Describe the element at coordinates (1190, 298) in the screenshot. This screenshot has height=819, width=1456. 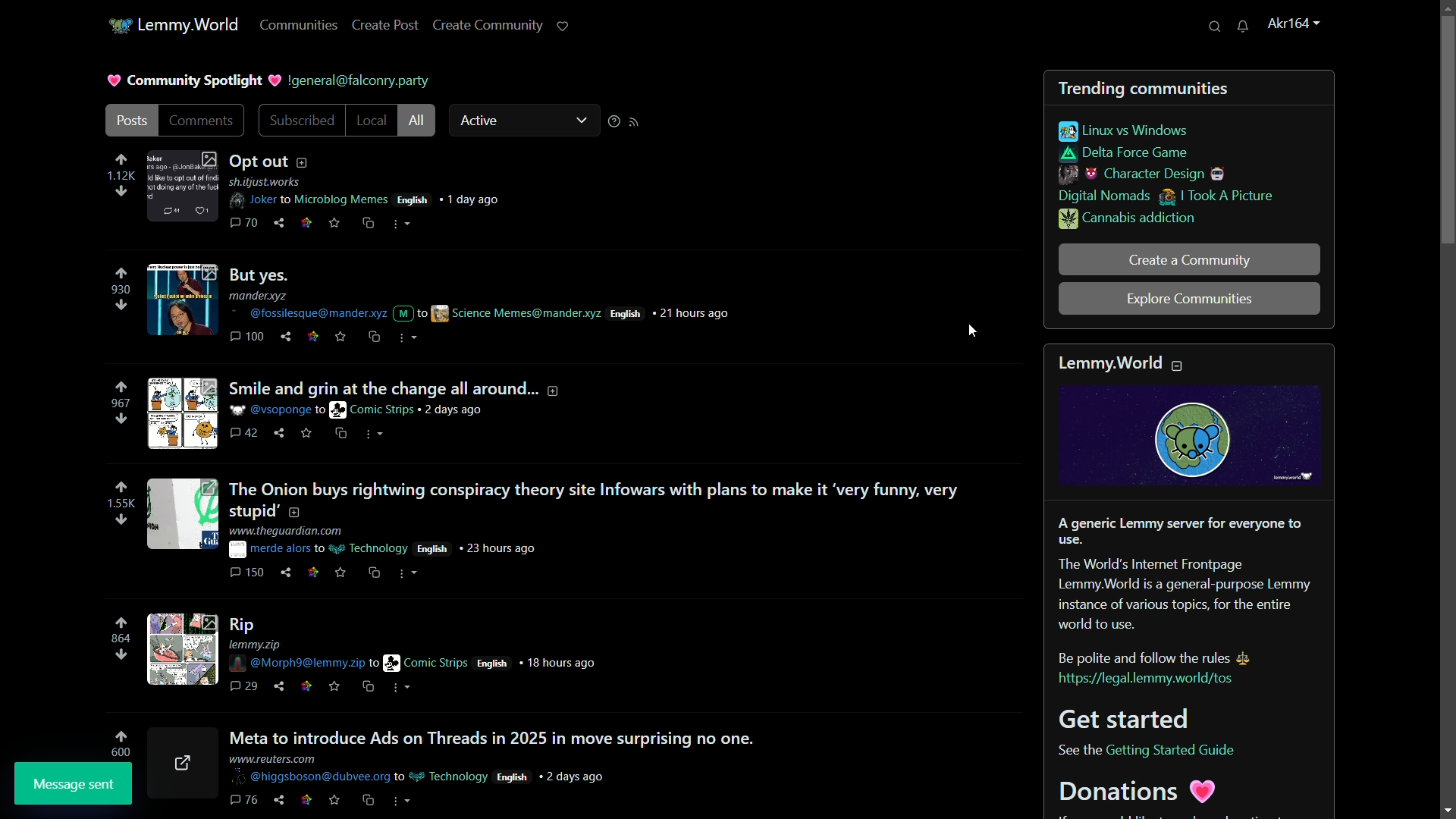
I see `explore communities` at that location.